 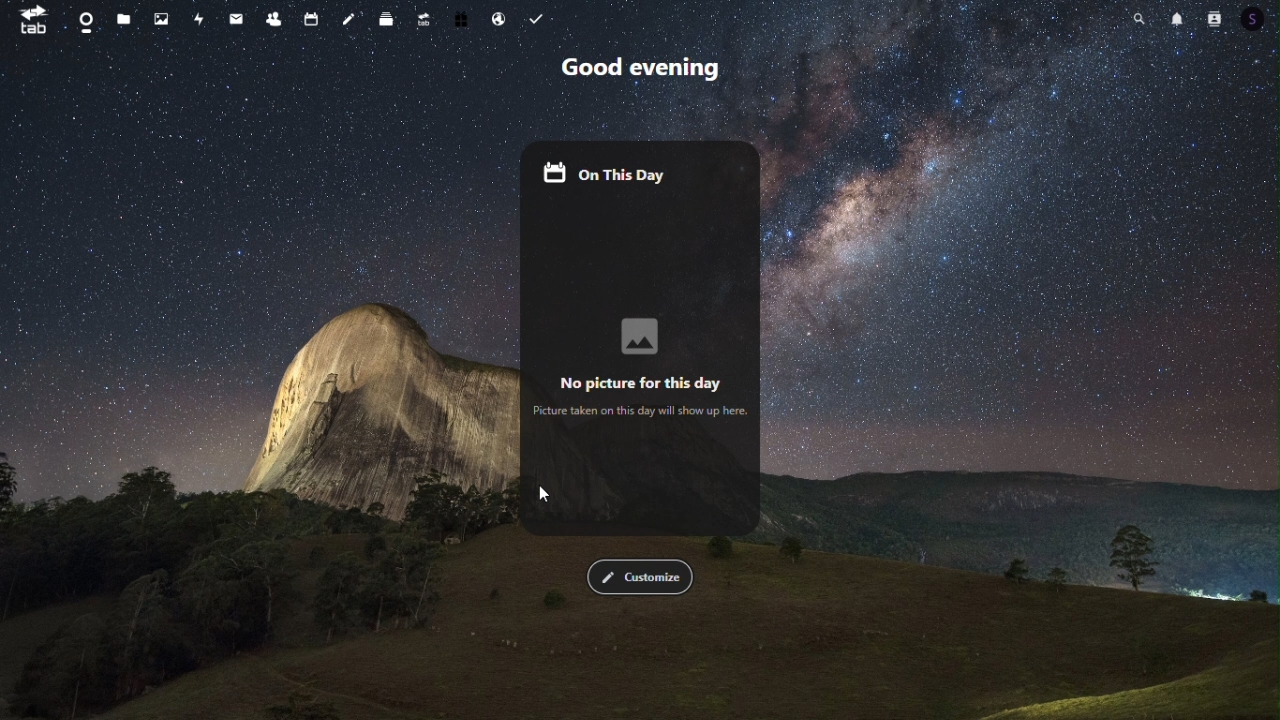 What do you see at coordinates (1175, 17) in the screenshot?
I see `Notifications` at bounding box center [1175, 17].